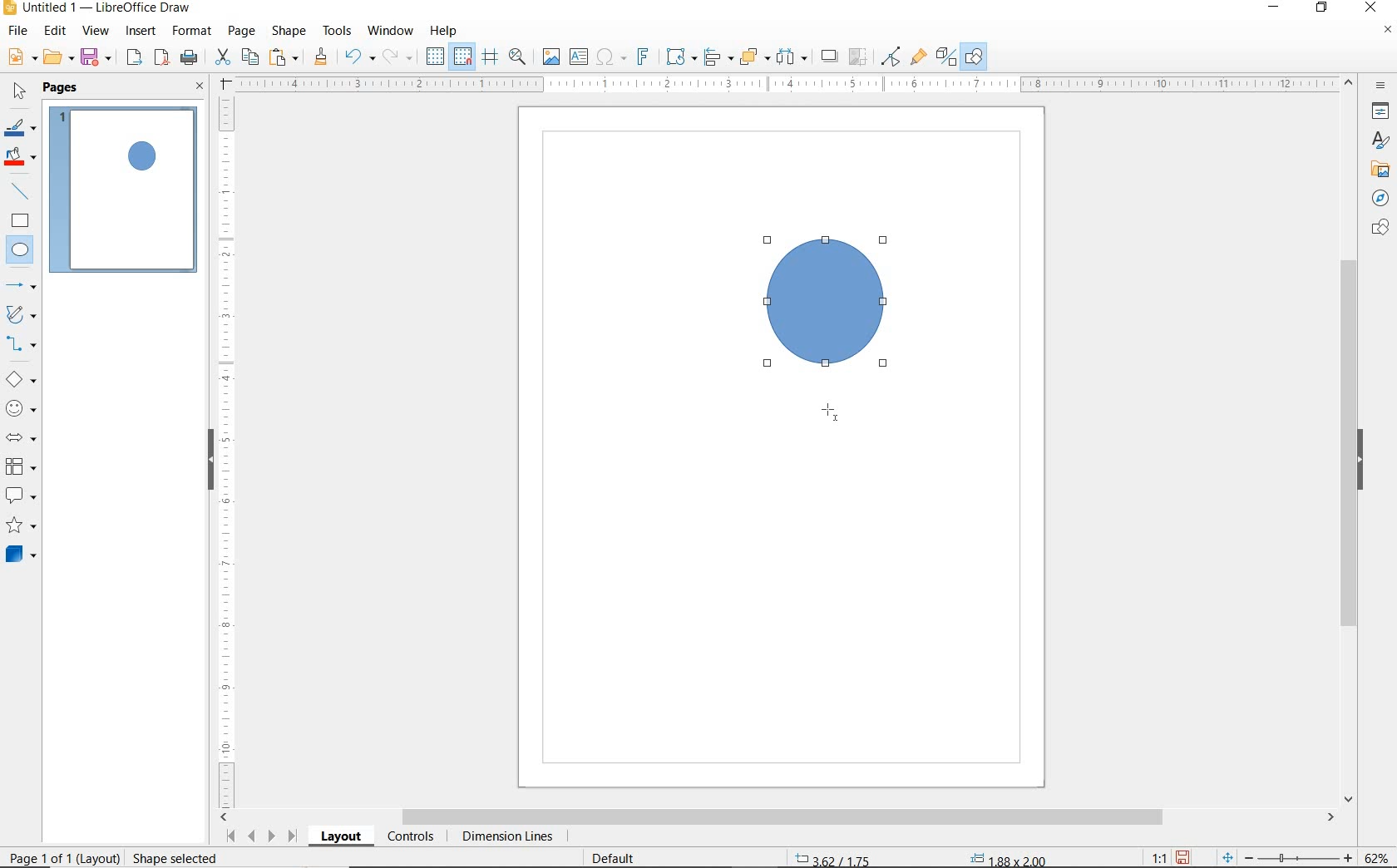  I want to click on INSERT LINE, so click(22, 191).